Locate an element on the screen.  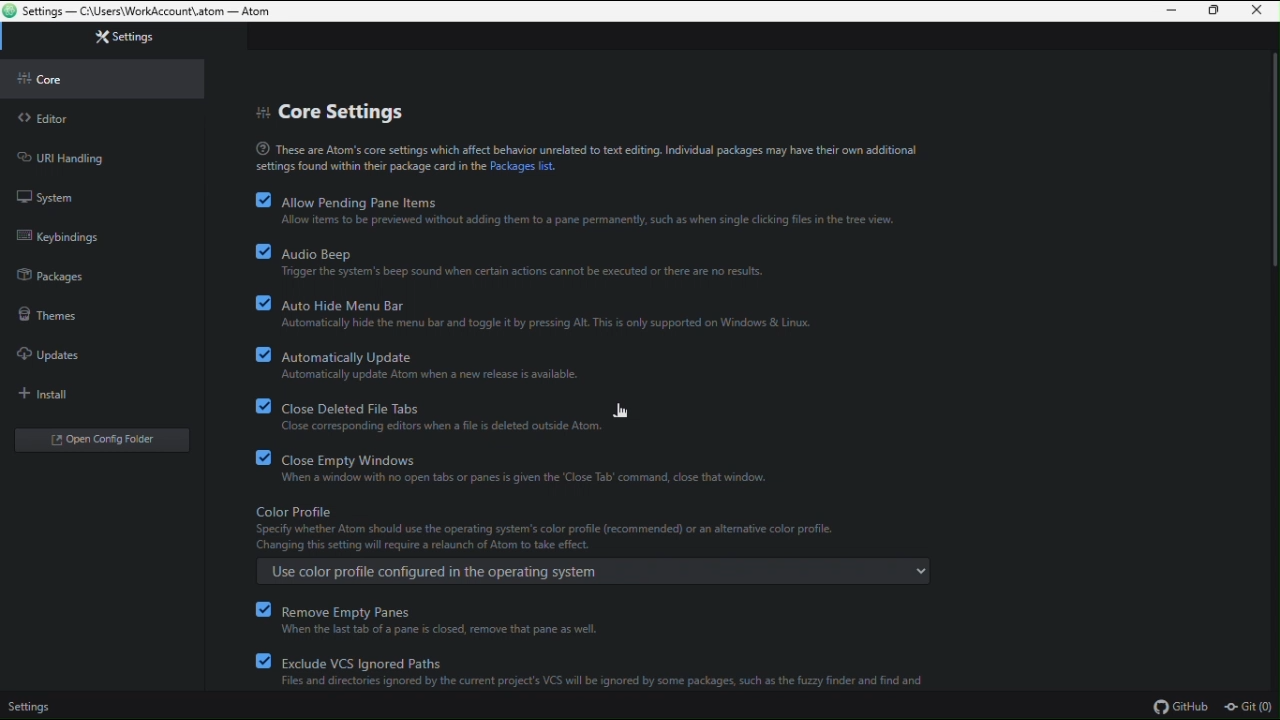
minimize is located at coordinates (1175, 11).